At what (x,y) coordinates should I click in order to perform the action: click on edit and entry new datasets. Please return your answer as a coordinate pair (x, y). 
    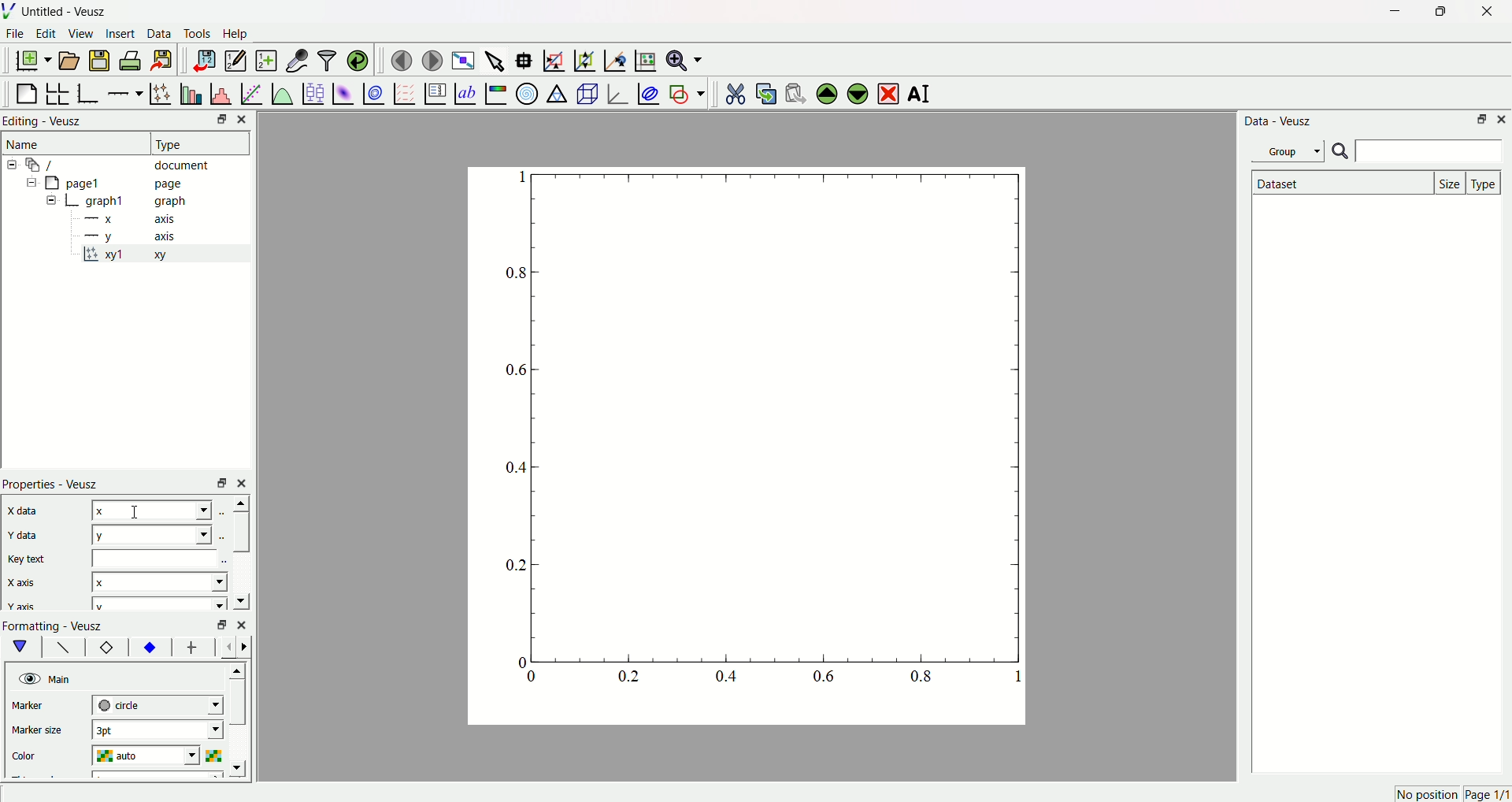
    Looking at the image, I should click on (235, 62).